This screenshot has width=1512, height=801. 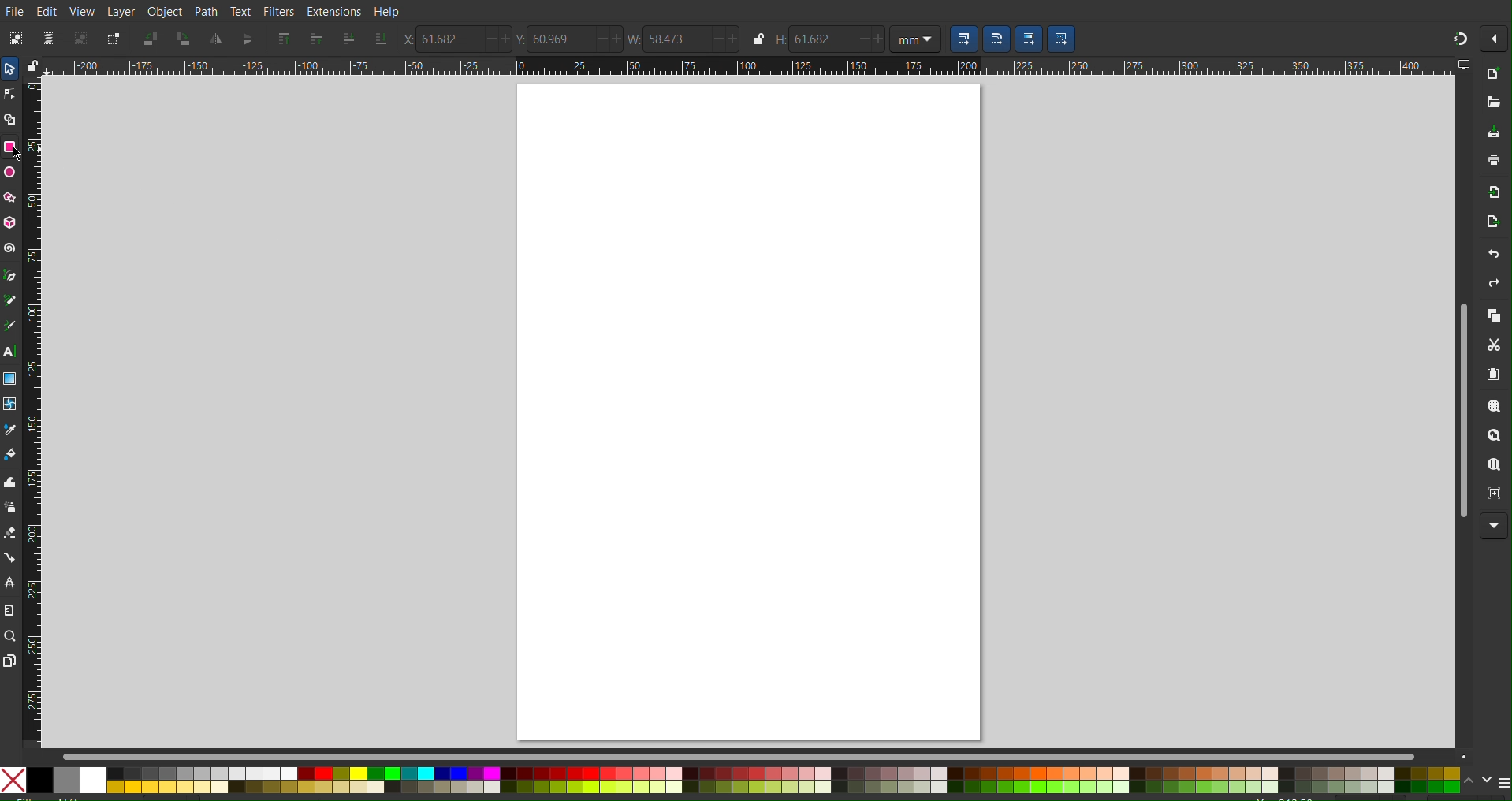 What do you see at coordinates (9, 352) in the screenshot?
I see `Text Tool` at bounding box center [9, 352].